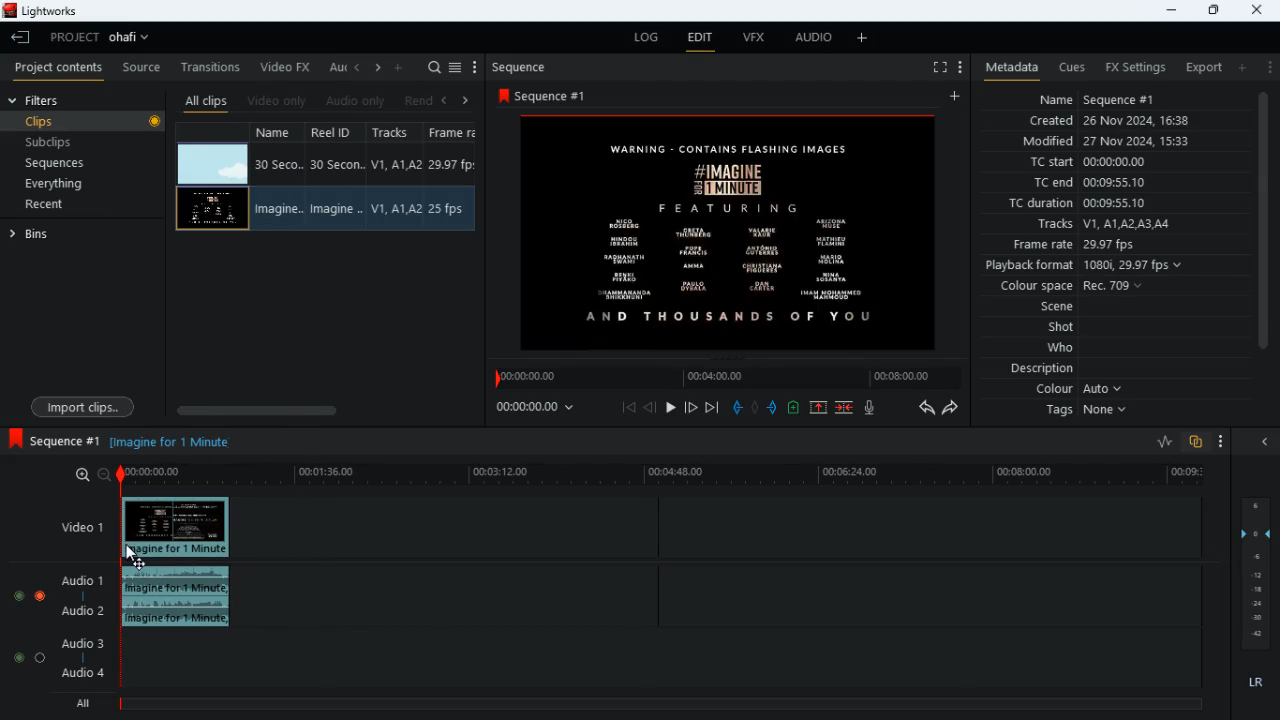  I want to click on video, so click(176, 528).